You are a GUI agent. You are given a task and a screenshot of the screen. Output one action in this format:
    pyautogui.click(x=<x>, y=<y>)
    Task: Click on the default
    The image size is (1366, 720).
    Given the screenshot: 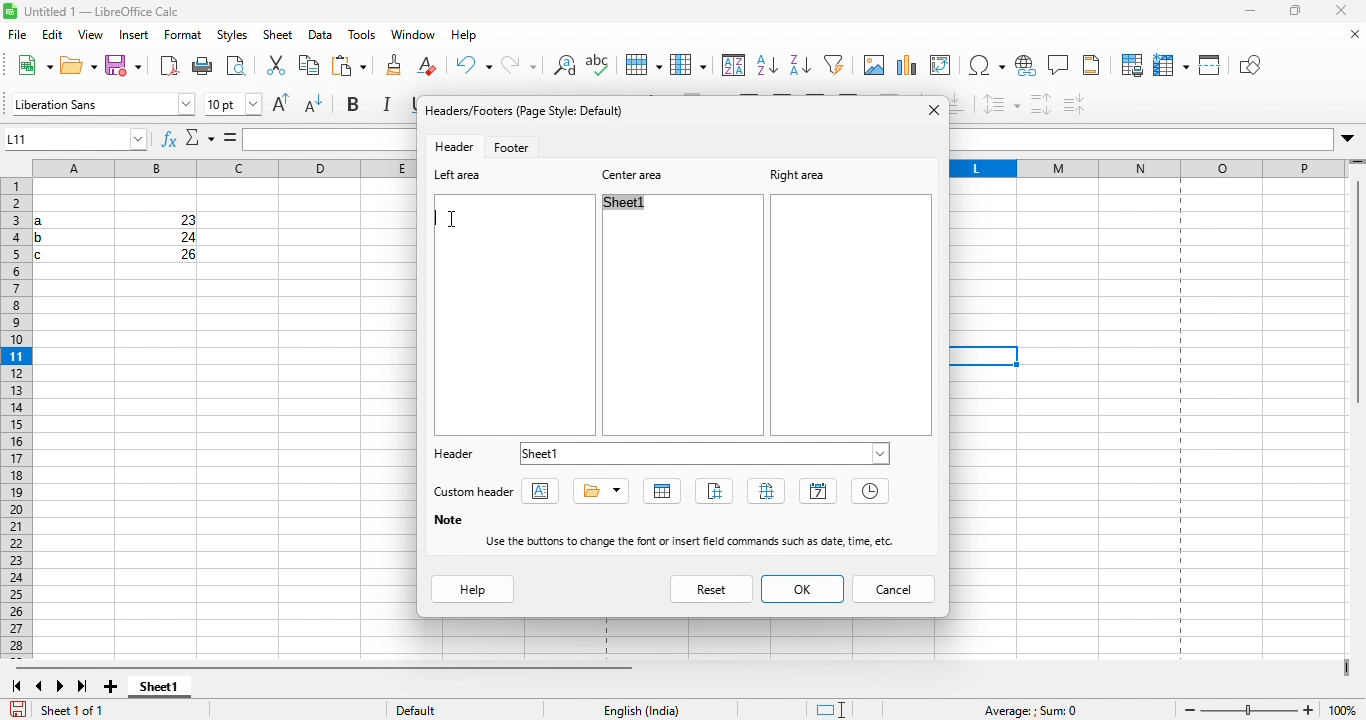 What is the action you would take?
    pyautogui.click(x=443, y=707)
    